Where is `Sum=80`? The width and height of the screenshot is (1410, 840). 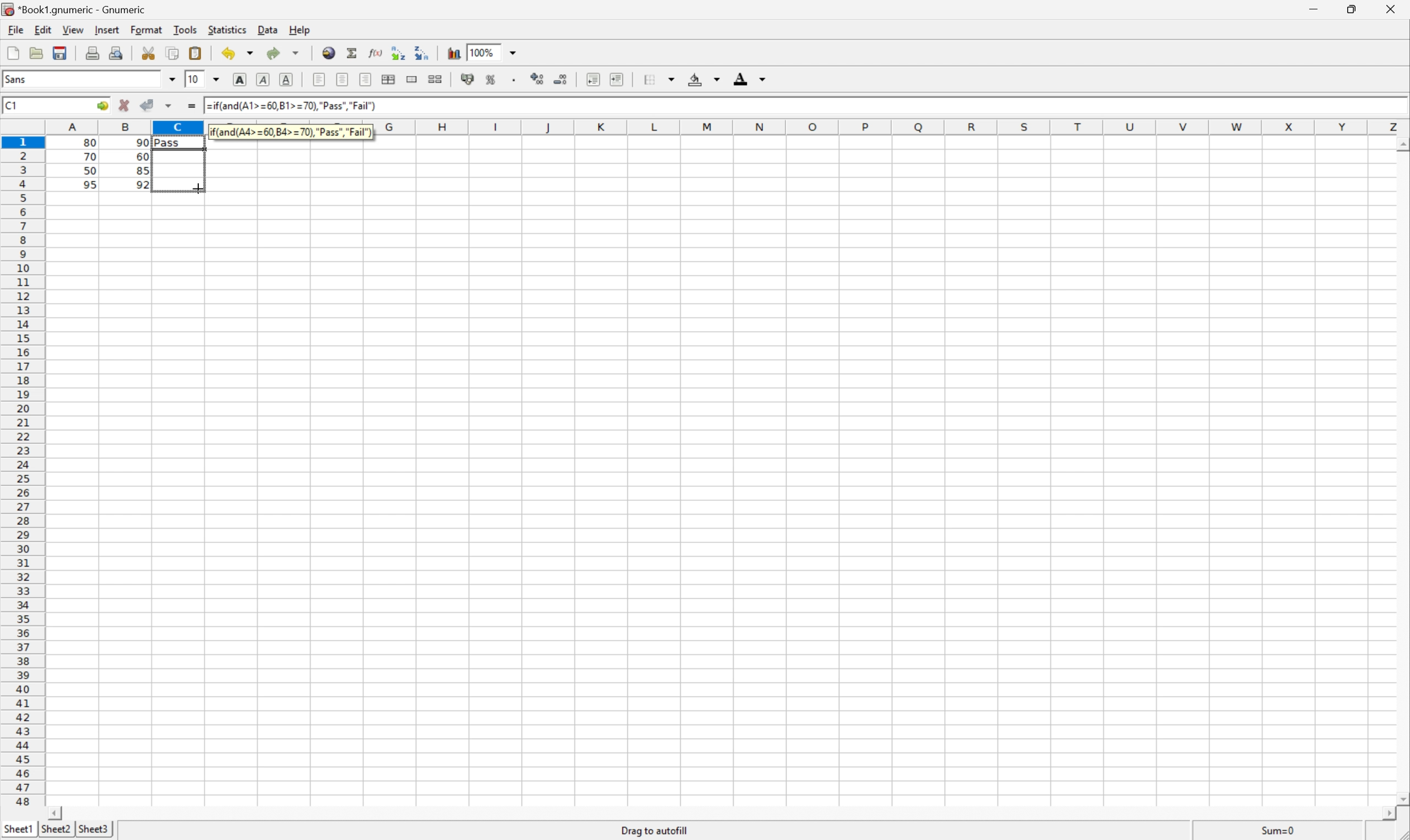
Sum=80 is located at coordinates (1277, 830).